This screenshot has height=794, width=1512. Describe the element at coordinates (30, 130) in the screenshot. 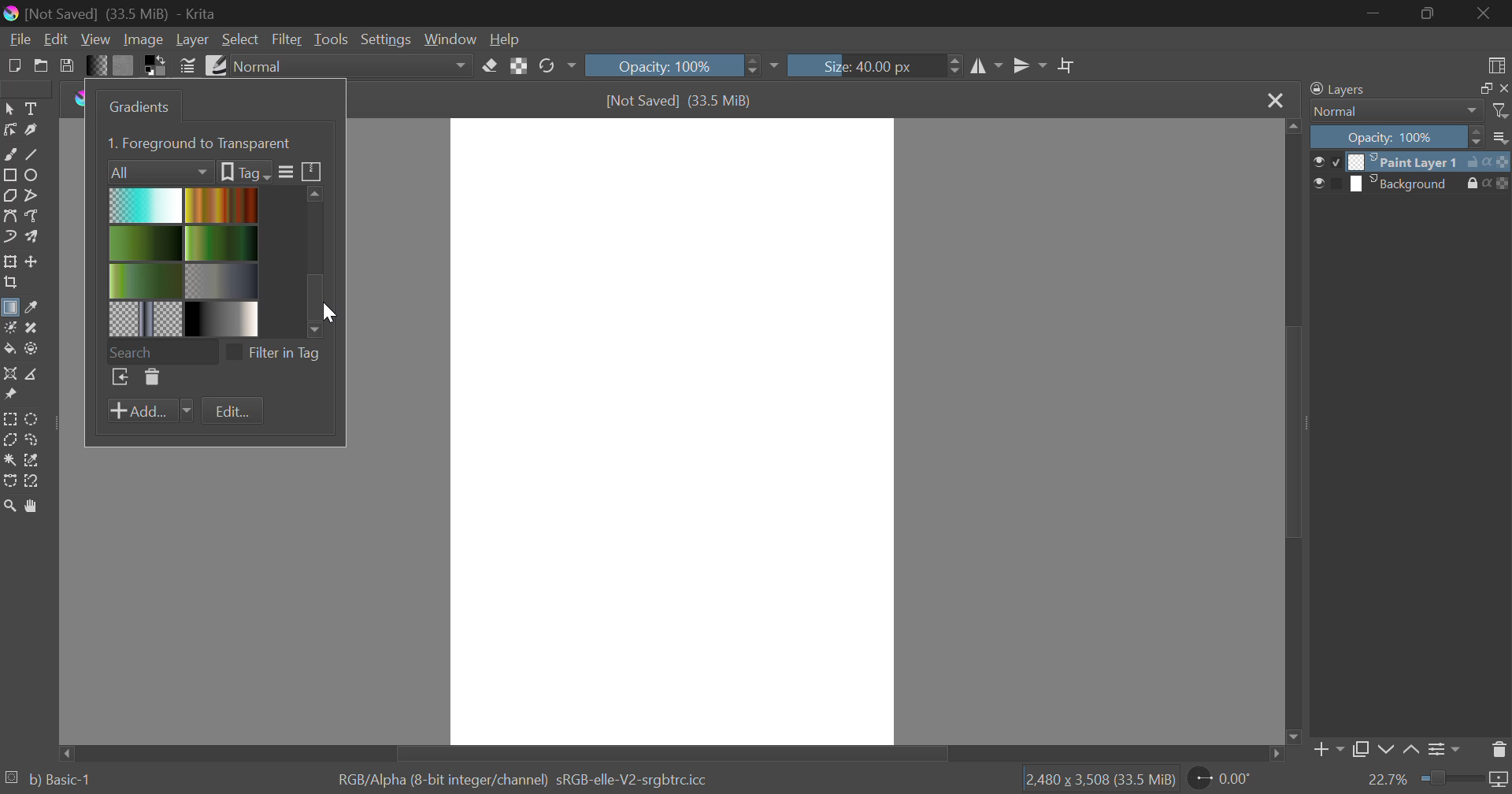

I see `Calligraphic Line` at that location.